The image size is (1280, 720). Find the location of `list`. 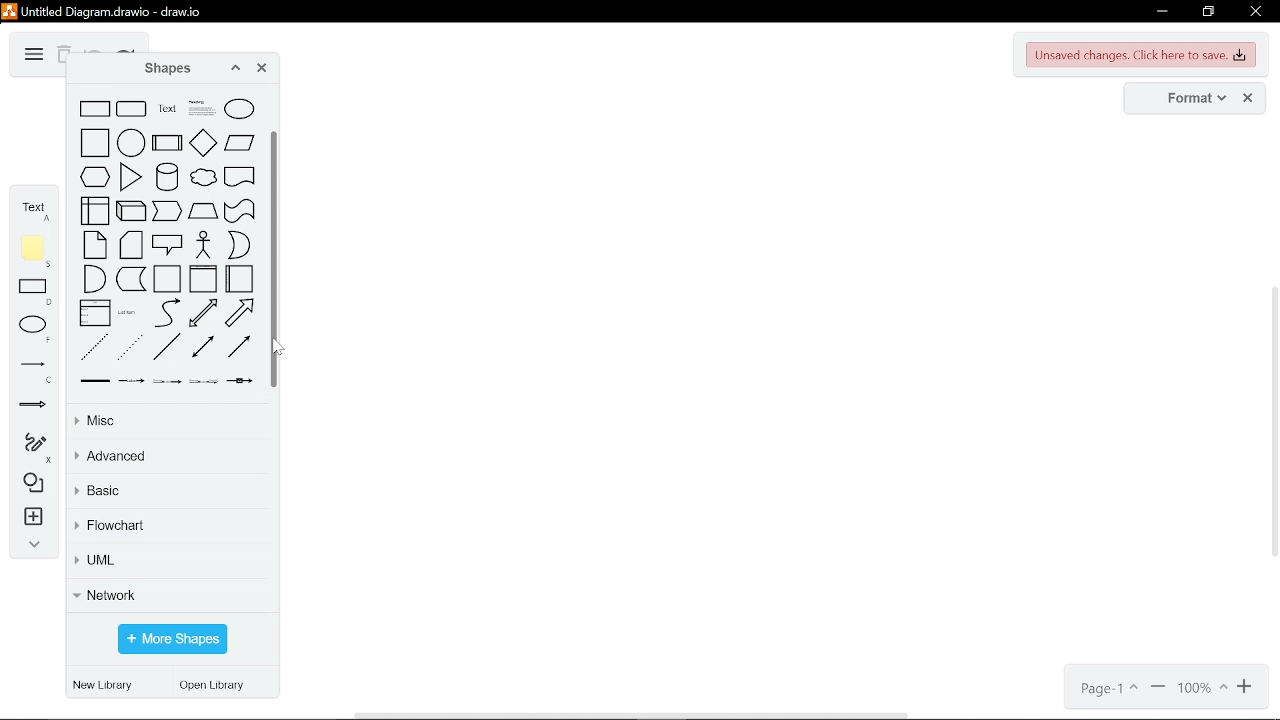

list is located at coordinates (95, 312).